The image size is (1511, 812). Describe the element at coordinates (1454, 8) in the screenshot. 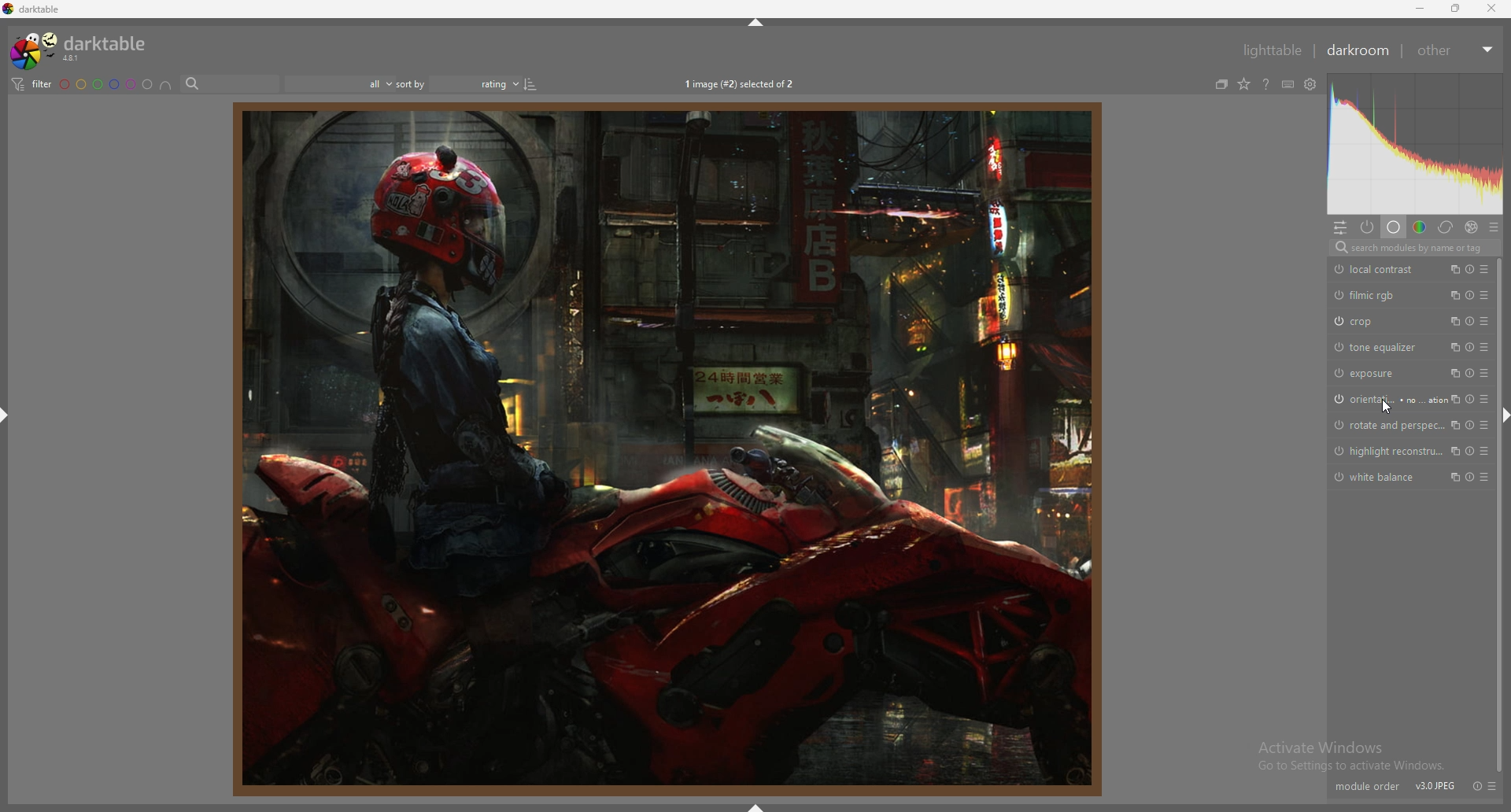

I see `resize` at that location.